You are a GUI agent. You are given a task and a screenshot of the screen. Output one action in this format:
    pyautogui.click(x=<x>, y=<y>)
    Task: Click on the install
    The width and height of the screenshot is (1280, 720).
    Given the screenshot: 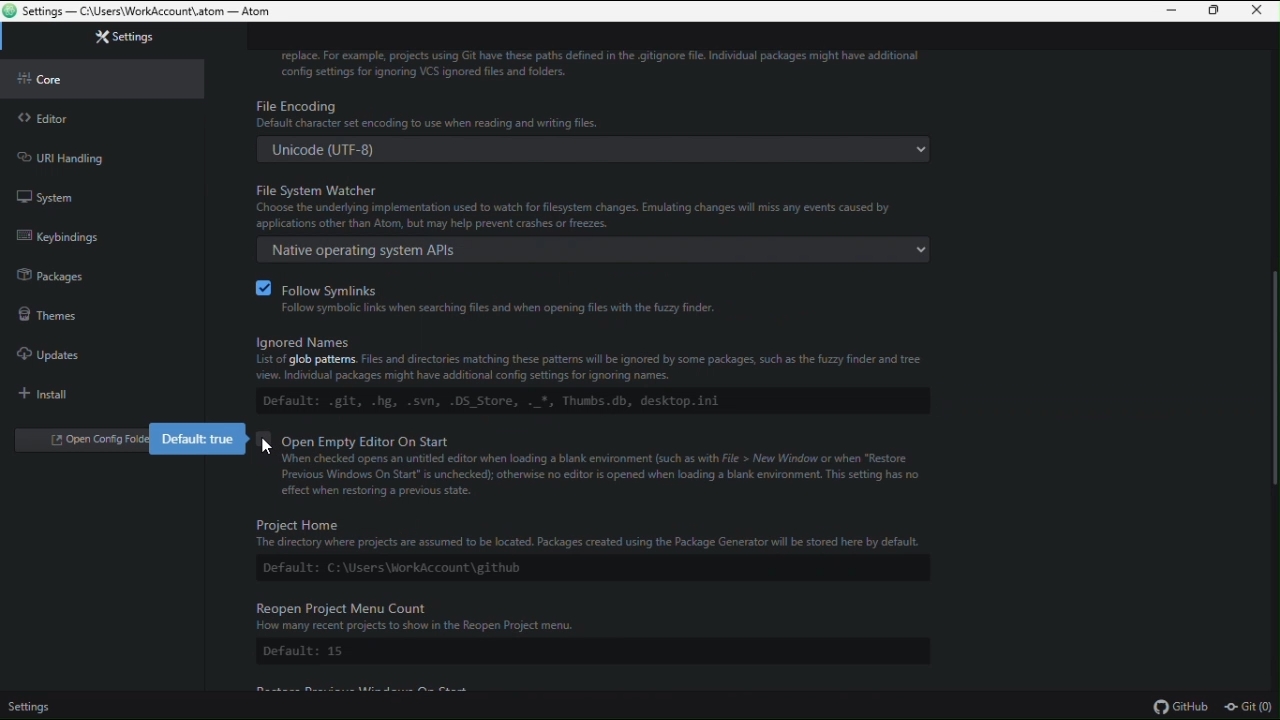 What is the action you would take?
    pyautogui.click(x=45, y=390)
    